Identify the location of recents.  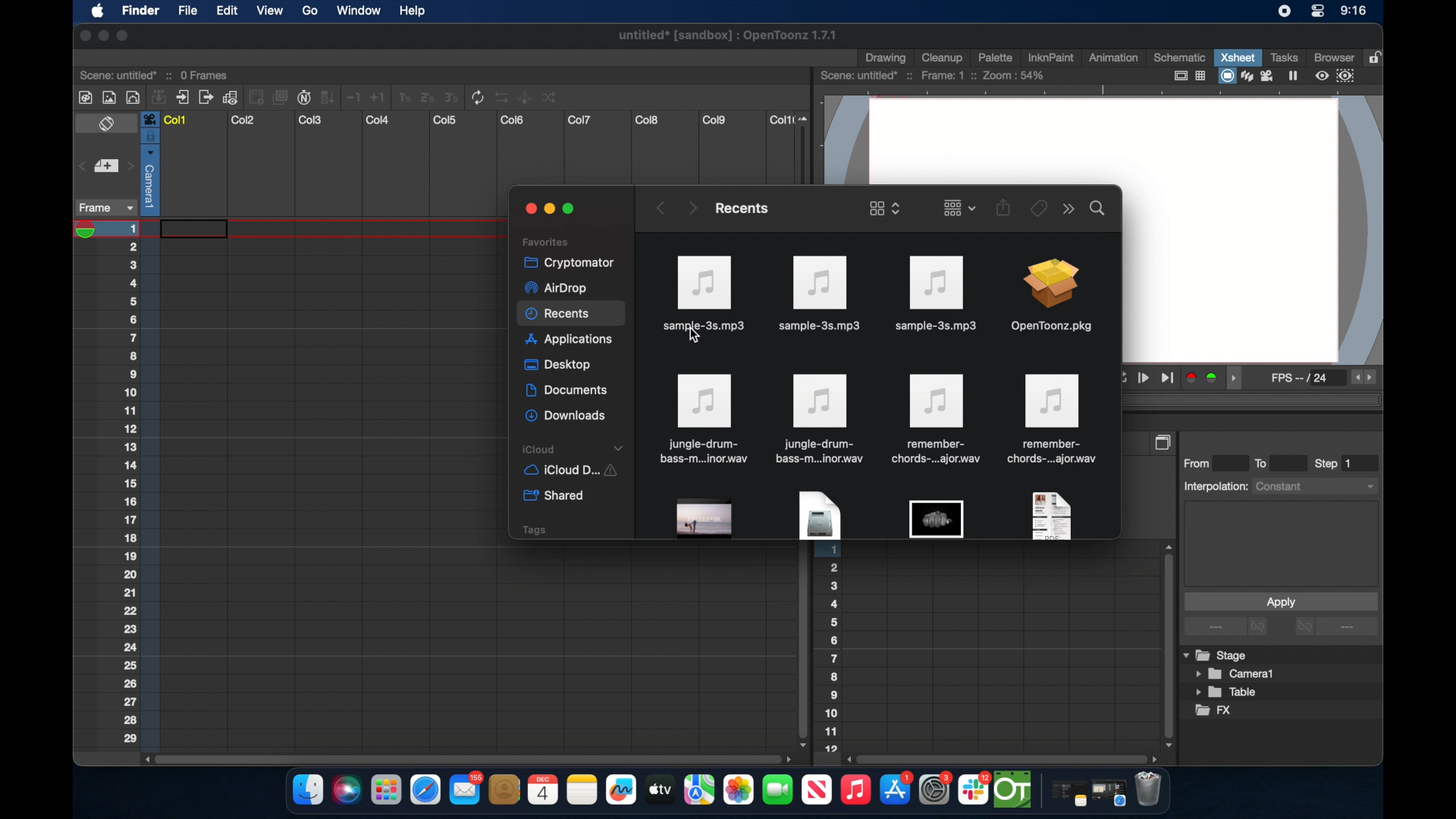
(572, 315).